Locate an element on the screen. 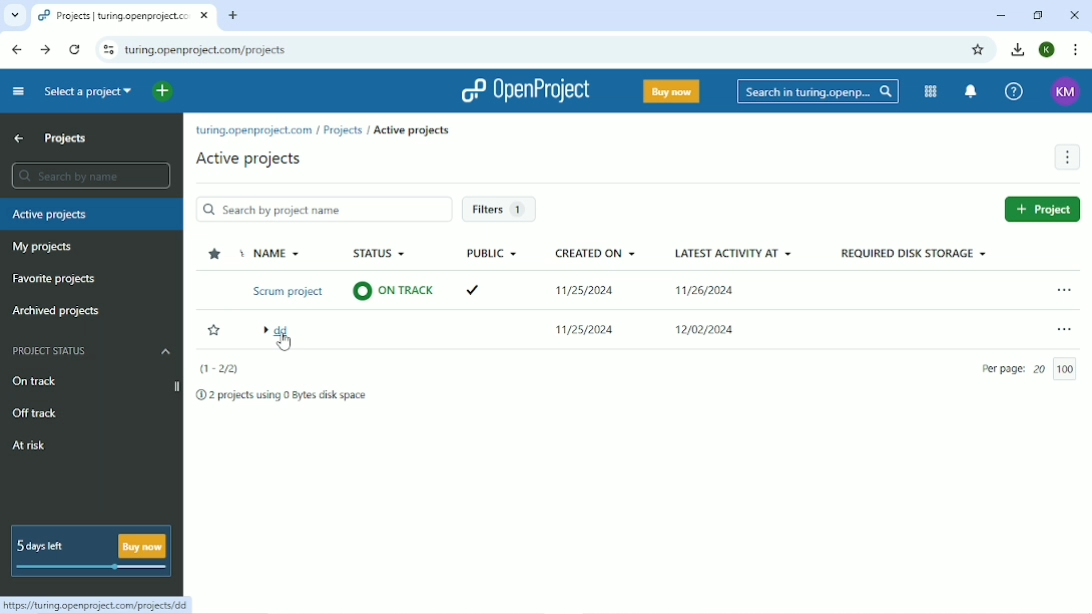 The height and width of the screenshot is (614, 1092). Add to favorites is located at coordinates (216, 331).